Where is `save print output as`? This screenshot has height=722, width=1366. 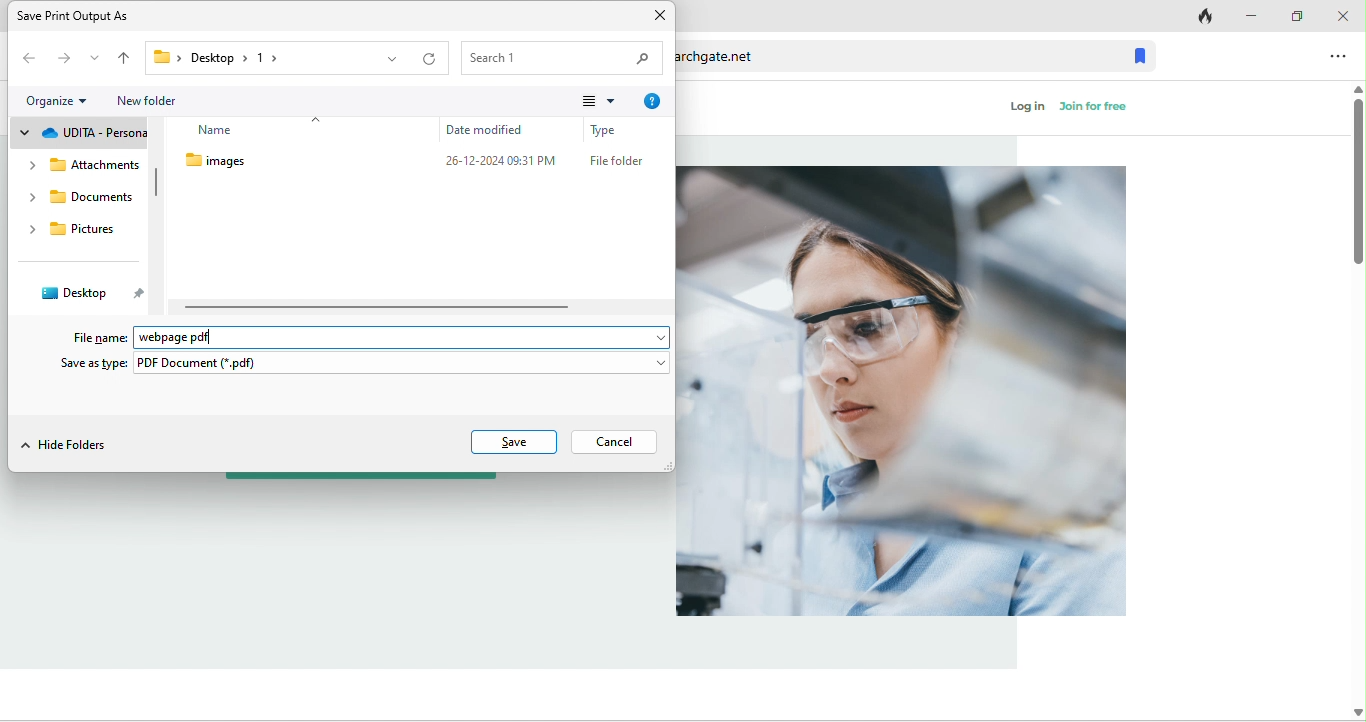 save print output as is located at coordinates (92, 15).